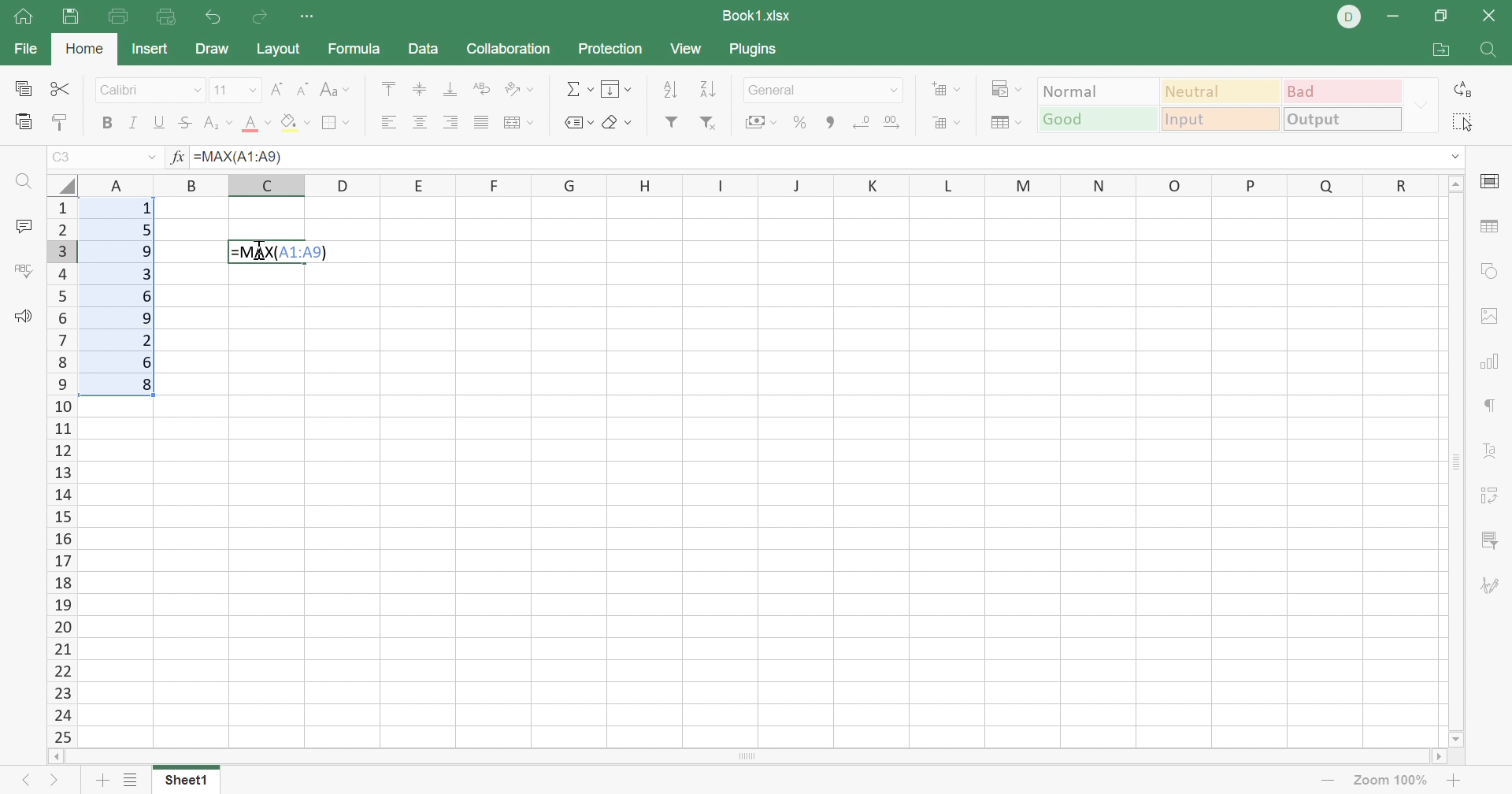  Describe the element at coordinates (1462, 91) in the screenshot. I see `Replace` at that location.